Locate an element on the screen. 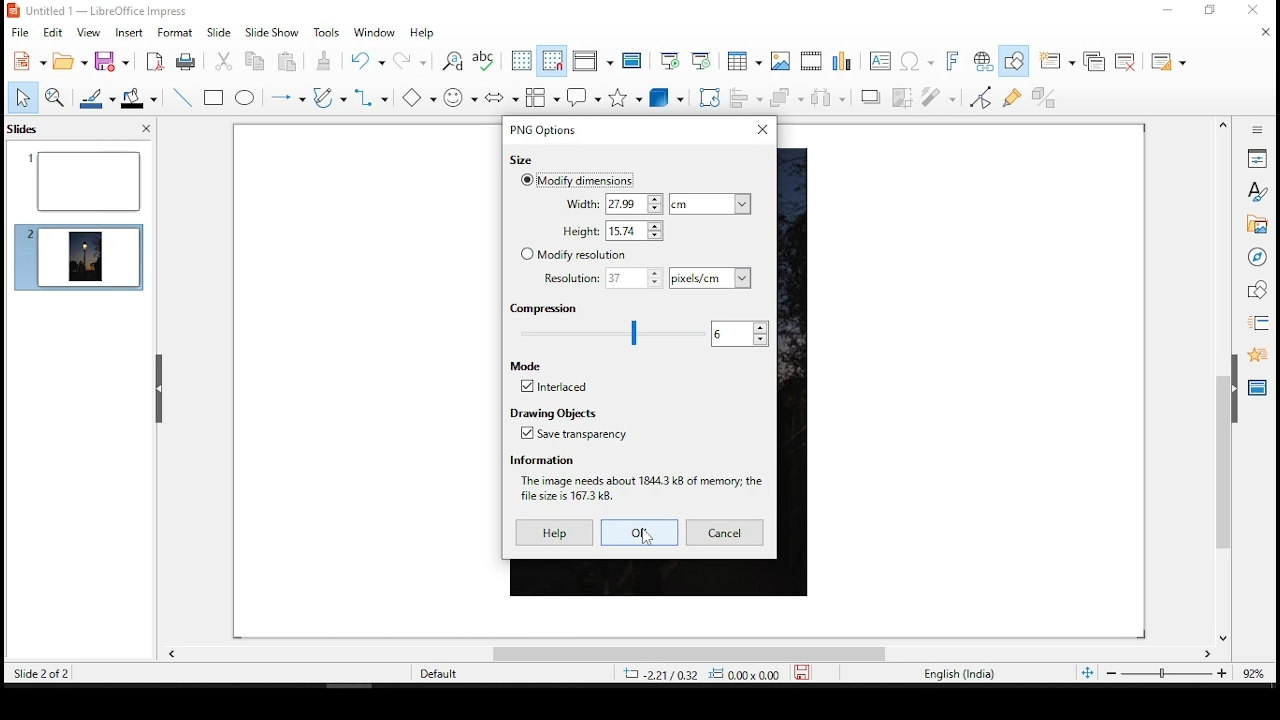  slide 1 is located at coordinates (85, 180).